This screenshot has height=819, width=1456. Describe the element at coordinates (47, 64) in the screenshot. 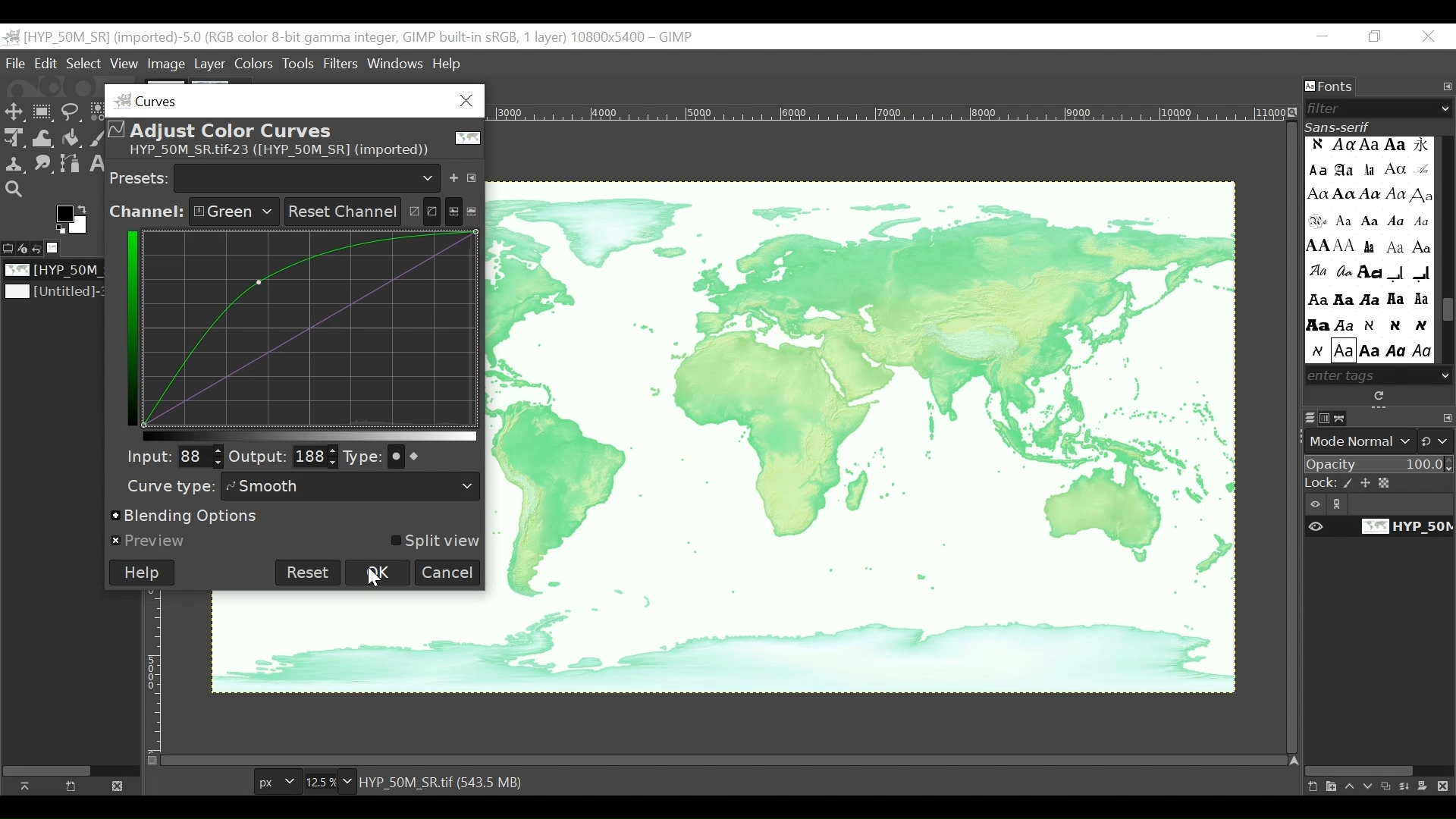

I see `Edit` at that location.